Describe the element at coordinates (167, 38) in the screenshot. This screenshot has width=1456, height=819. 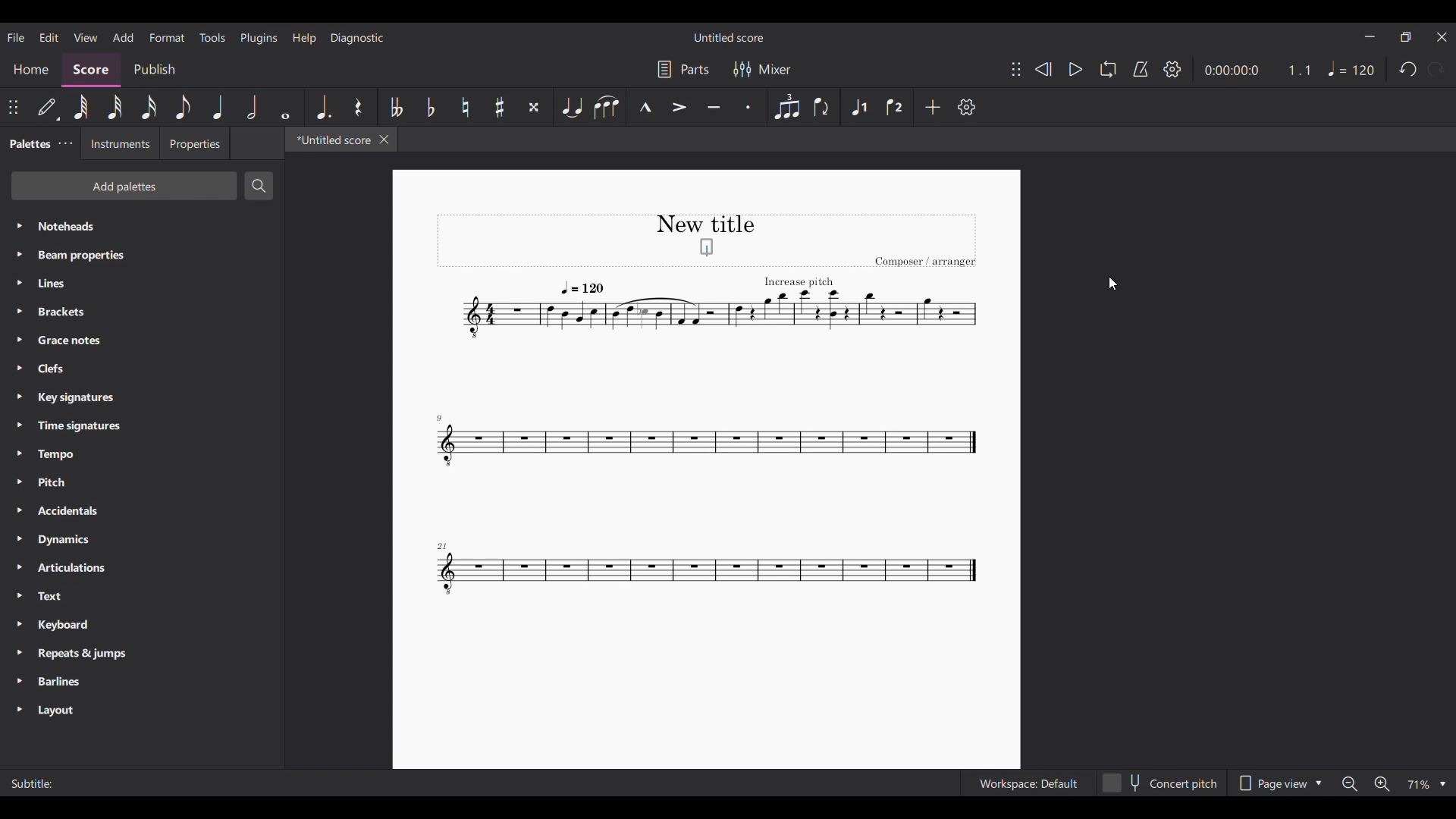
I see `Format menu` at that location.